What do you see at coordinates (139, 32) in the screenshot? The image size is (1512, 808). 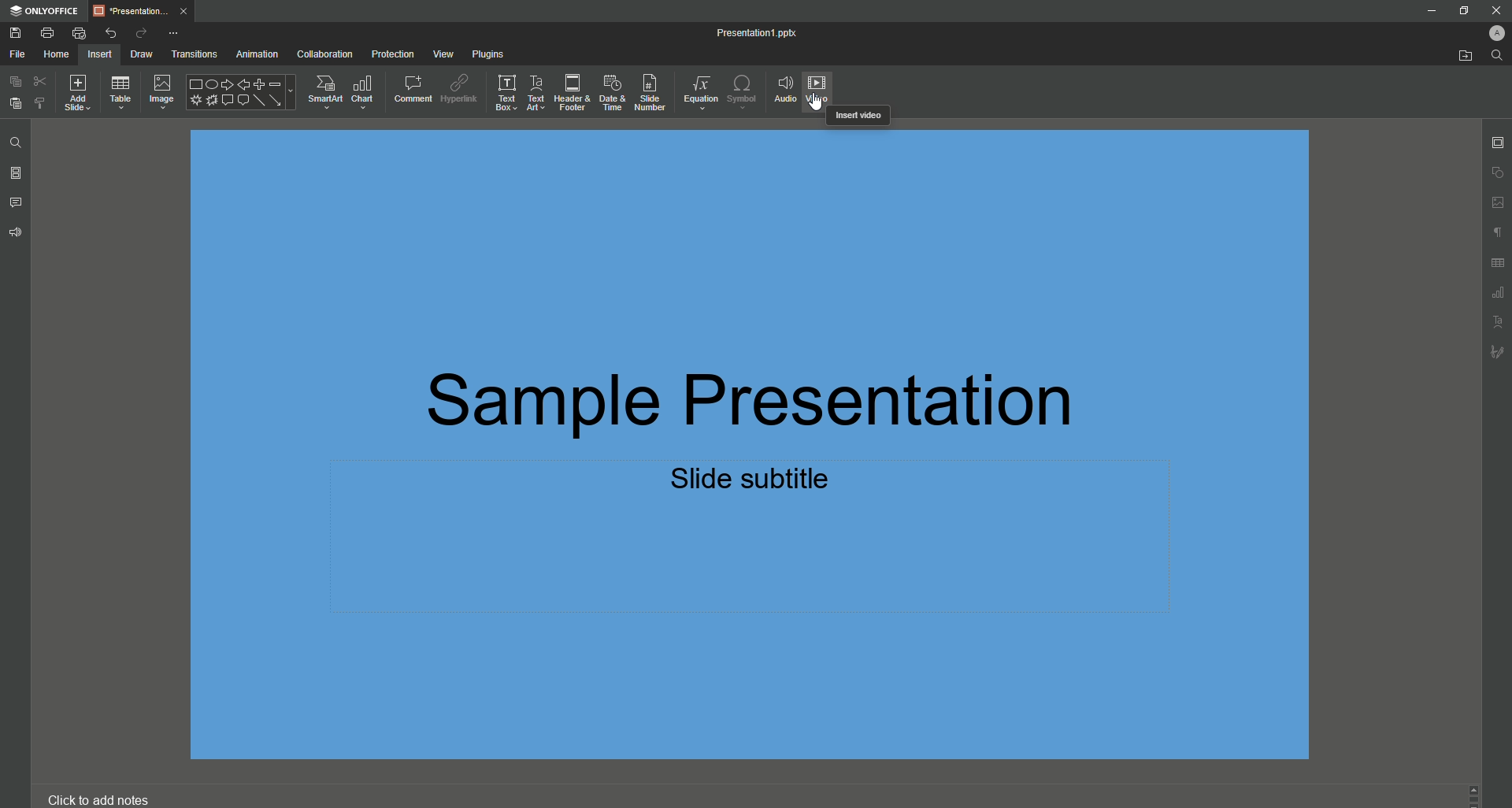 I see `Redo` at bounding box center [139, 32].